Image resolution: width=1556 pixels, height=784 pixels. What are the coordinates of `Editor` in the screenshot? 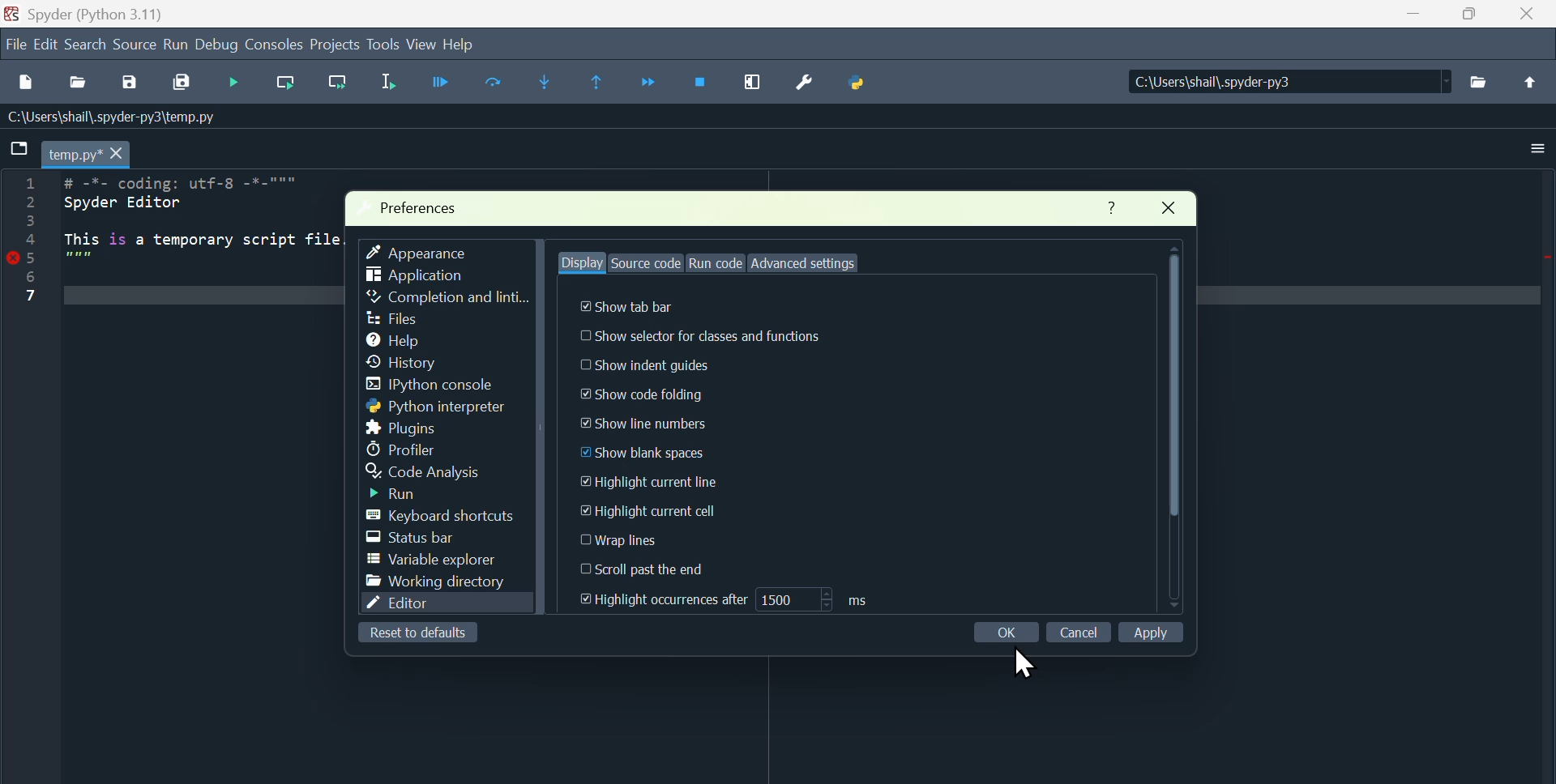 It's located at (419, 606).